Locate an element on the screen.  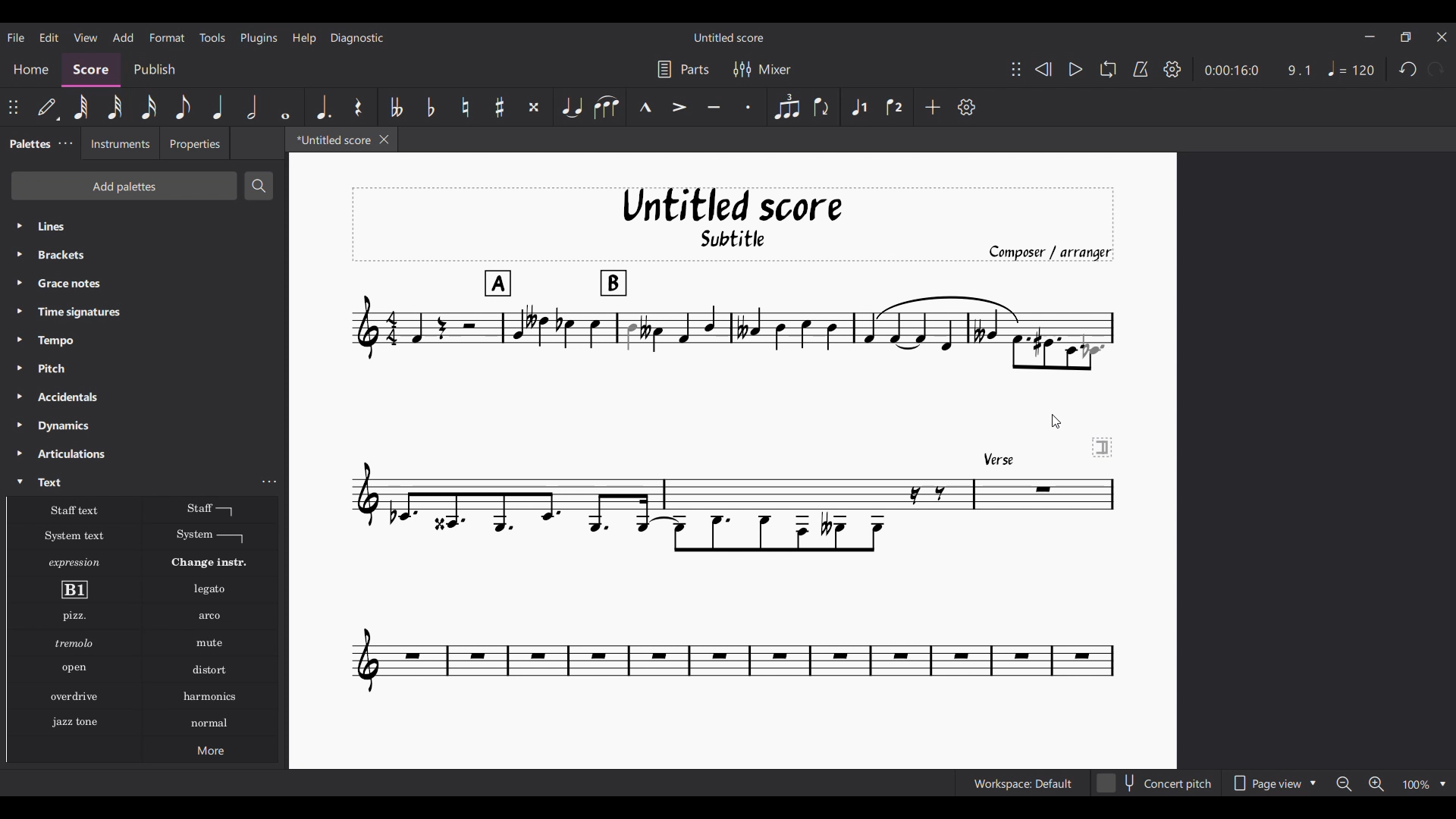
Harmonics is located at coordinates (209, 697).